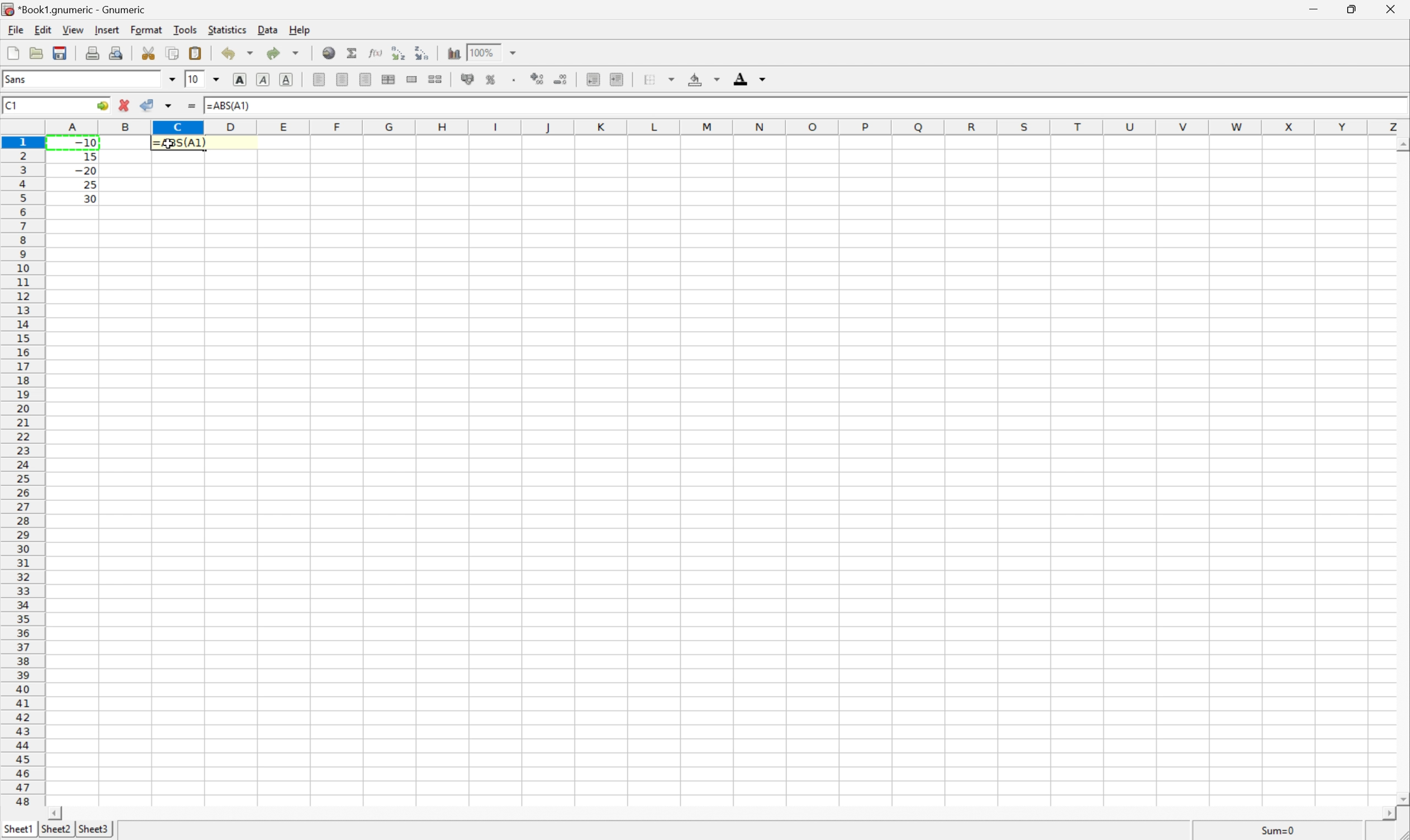 This screenshot has width=1410, height=840. What do you see at coordinates (186, 29) in the screenshot?
I see `Tools` at bounding box center [186, 29].